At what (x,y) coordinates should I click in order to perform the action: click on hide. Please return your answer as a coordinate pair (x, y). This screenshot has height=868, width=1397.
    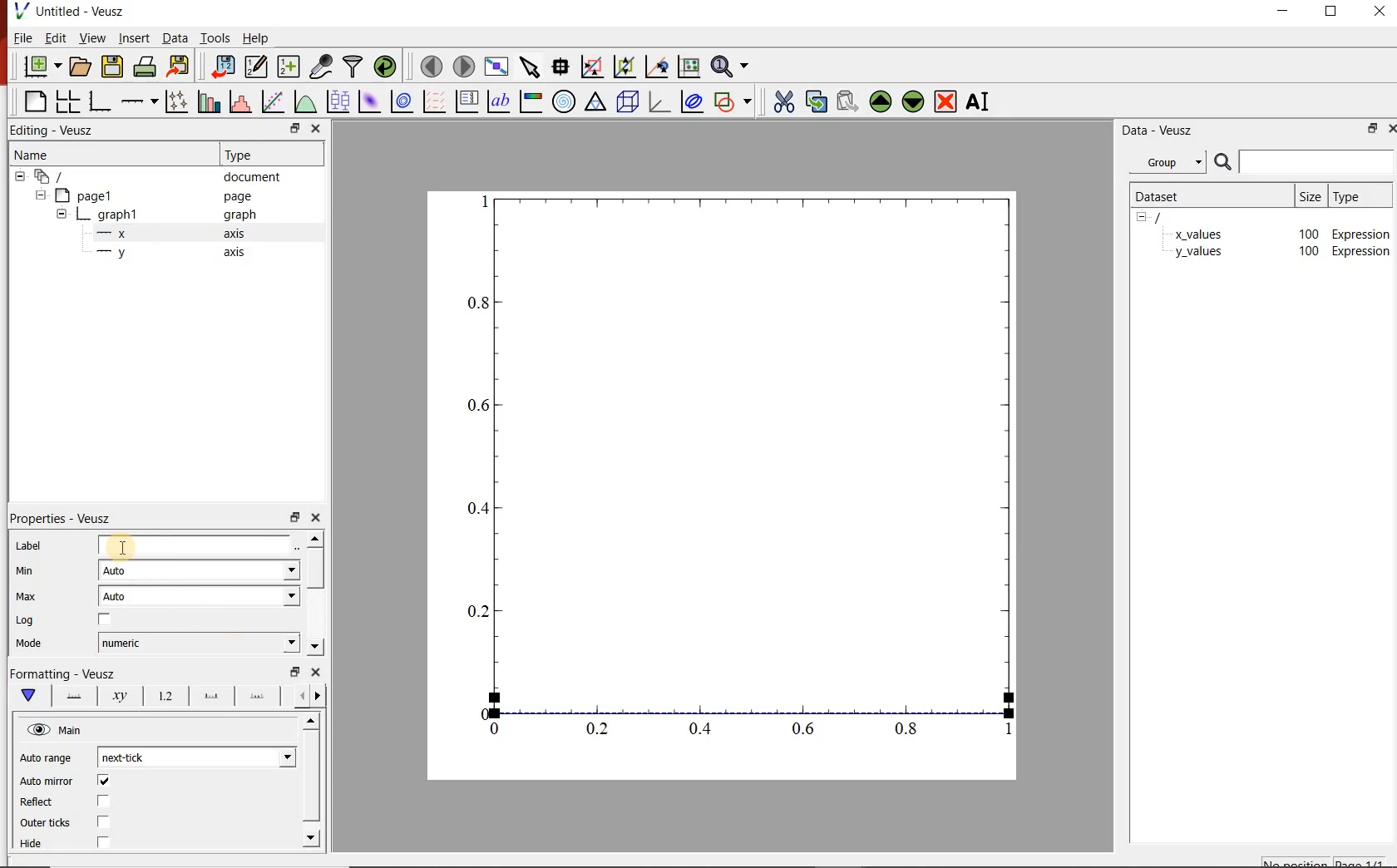
    Looking at the image, I should click on (1147, 218).